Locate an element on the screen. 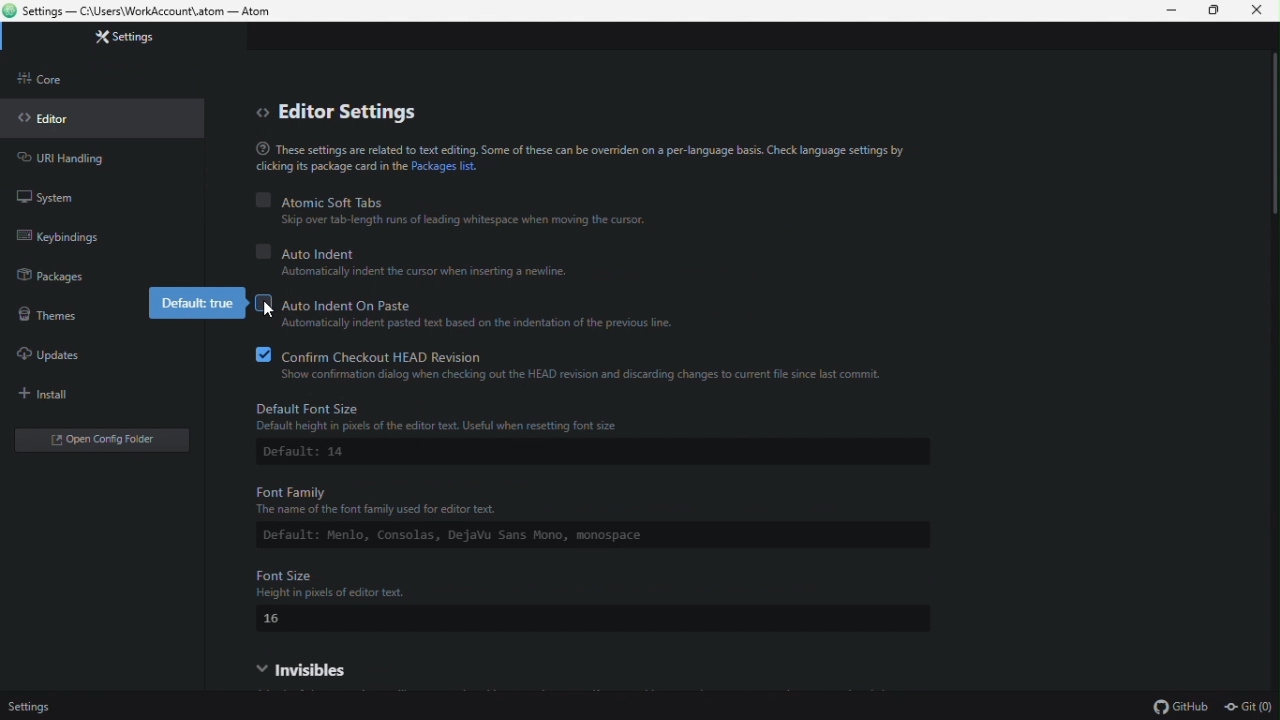  Skip over tab-length runs of leading whitespace when moving the cursor. is located at coordinates (466, 221).